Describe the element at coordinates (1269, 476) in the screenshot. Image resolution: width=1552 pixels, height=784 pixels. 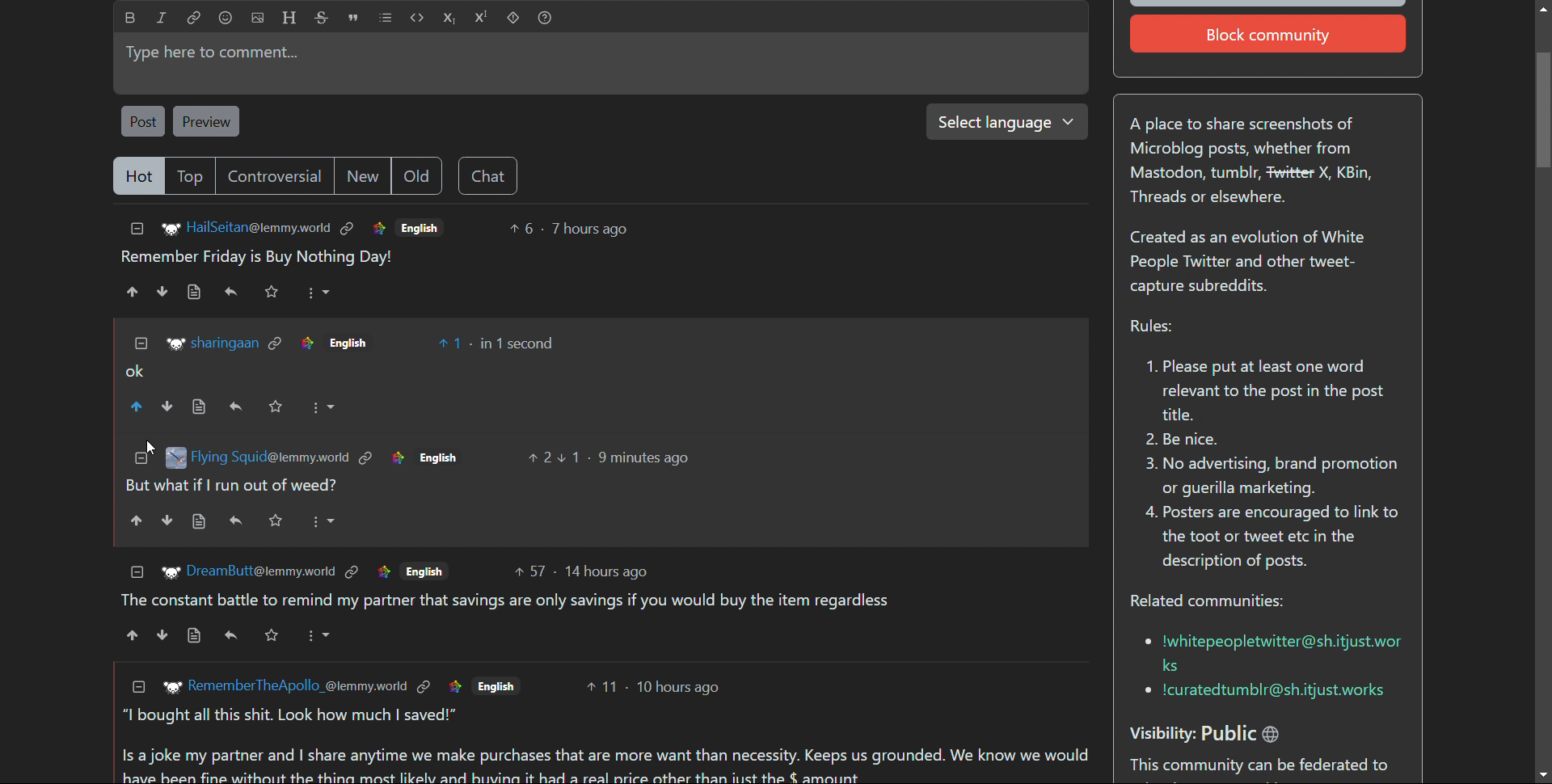
I see `3. No advertising, brand promotion
or guerilla marketing.` at that location.